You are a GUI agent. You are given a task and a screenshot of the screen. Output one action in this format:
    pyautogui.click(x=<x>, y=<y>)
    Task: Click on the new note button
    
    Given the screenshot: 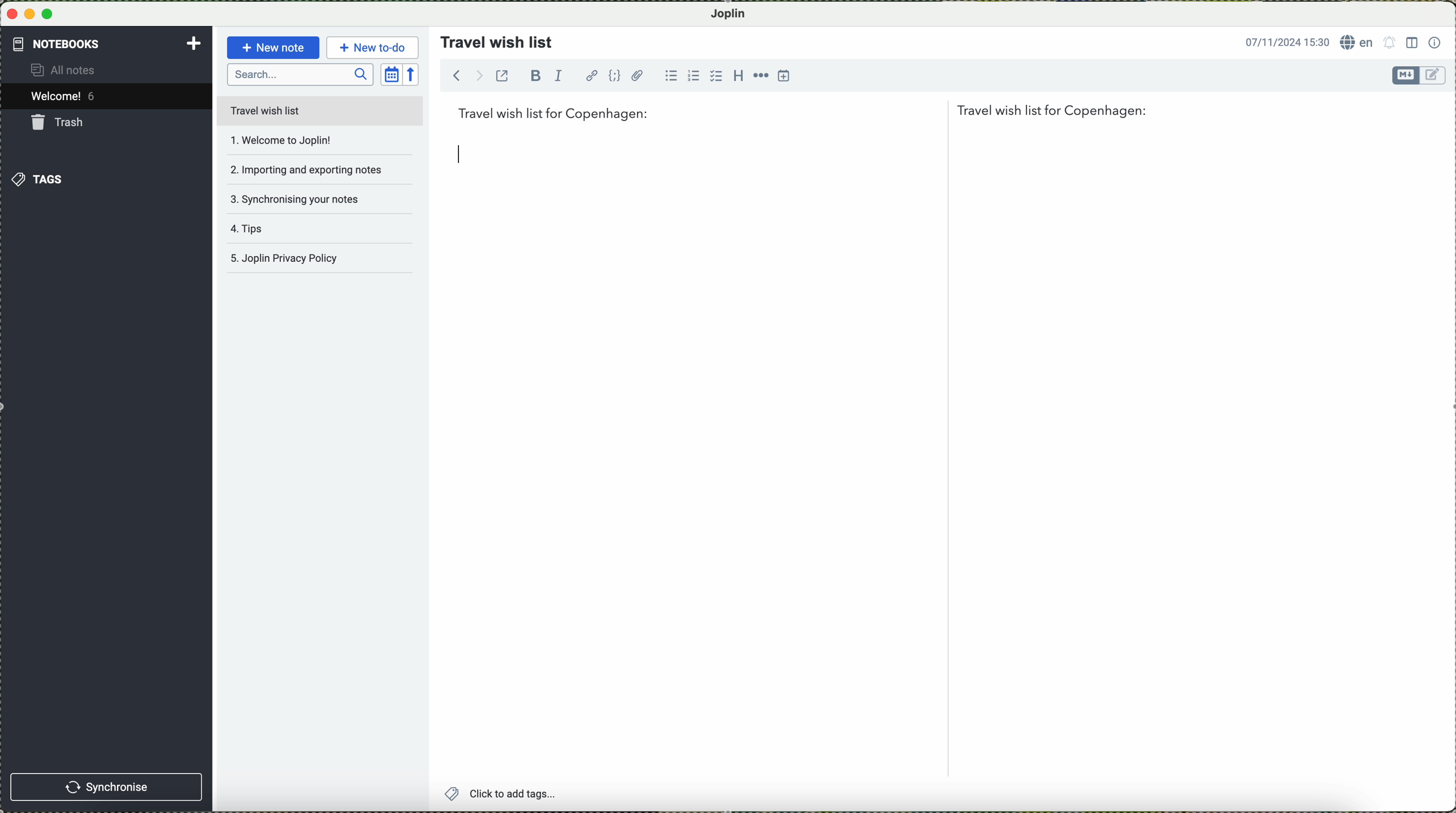 What is the action you would take?
    pyautogui.click(x=271, y=47)
    